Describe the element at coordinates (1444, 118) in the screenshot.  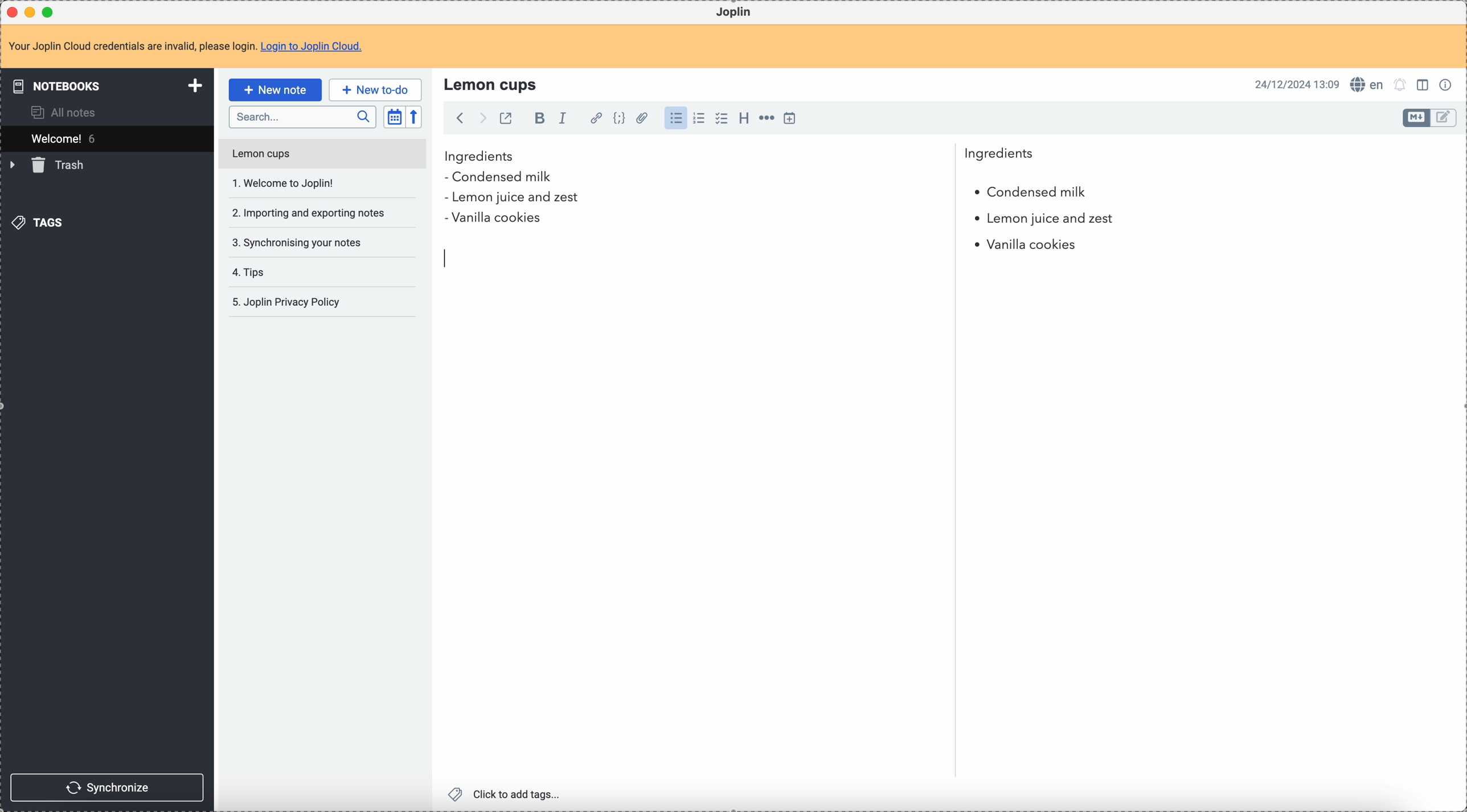
I see `toggle edit layout` at that location.